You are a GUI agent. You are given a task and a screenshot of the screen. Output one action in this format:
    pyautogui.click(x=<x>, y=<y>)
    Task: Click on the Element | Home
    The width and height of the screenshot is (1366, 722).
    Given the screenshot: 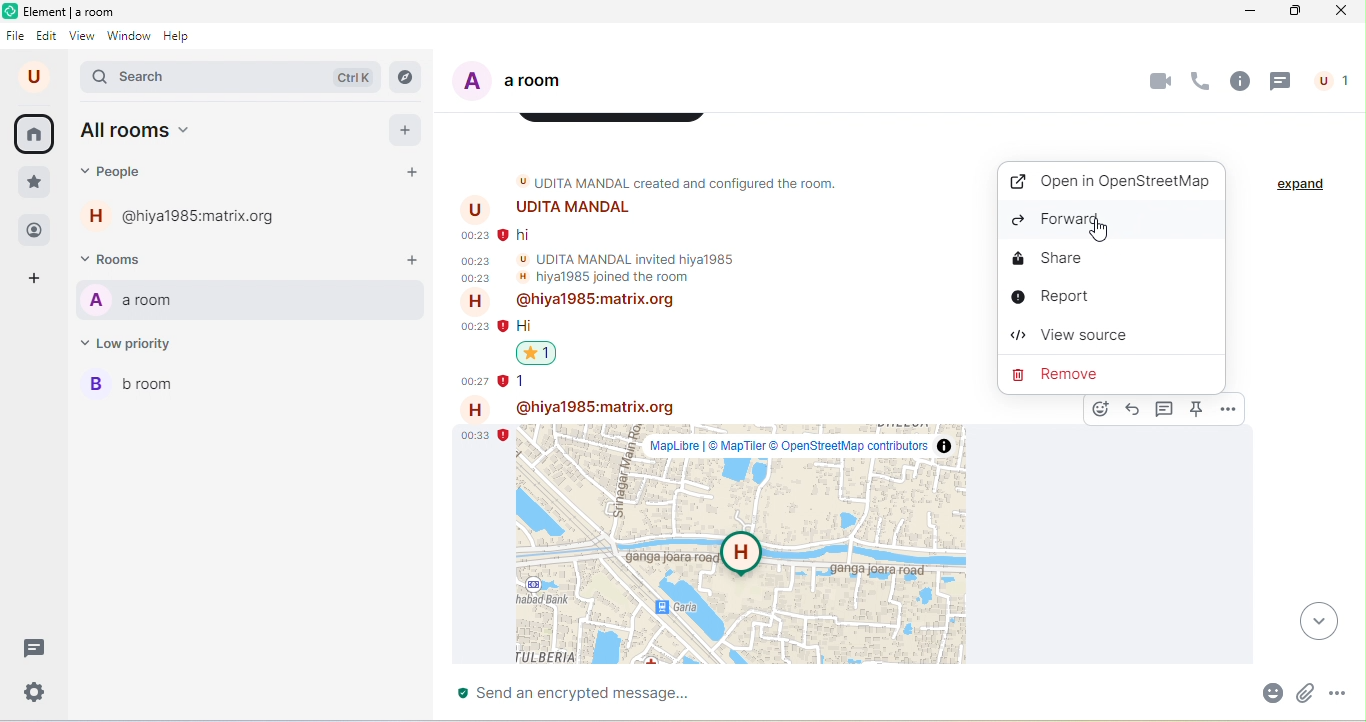 What is the action you would take?
    pyautogui.click(x=72, y=11)
    